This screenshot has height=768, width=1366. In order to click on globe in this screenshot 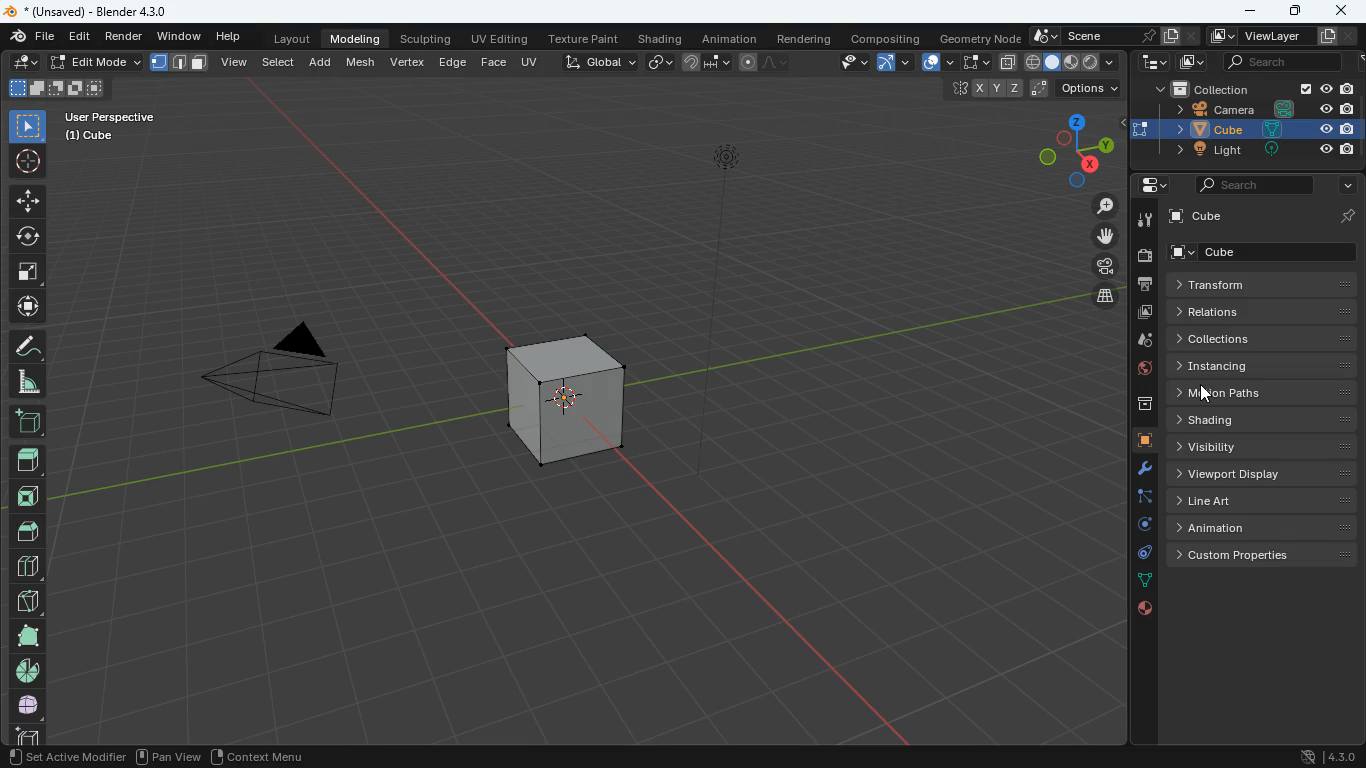, I will do `click(1140, 371)`.